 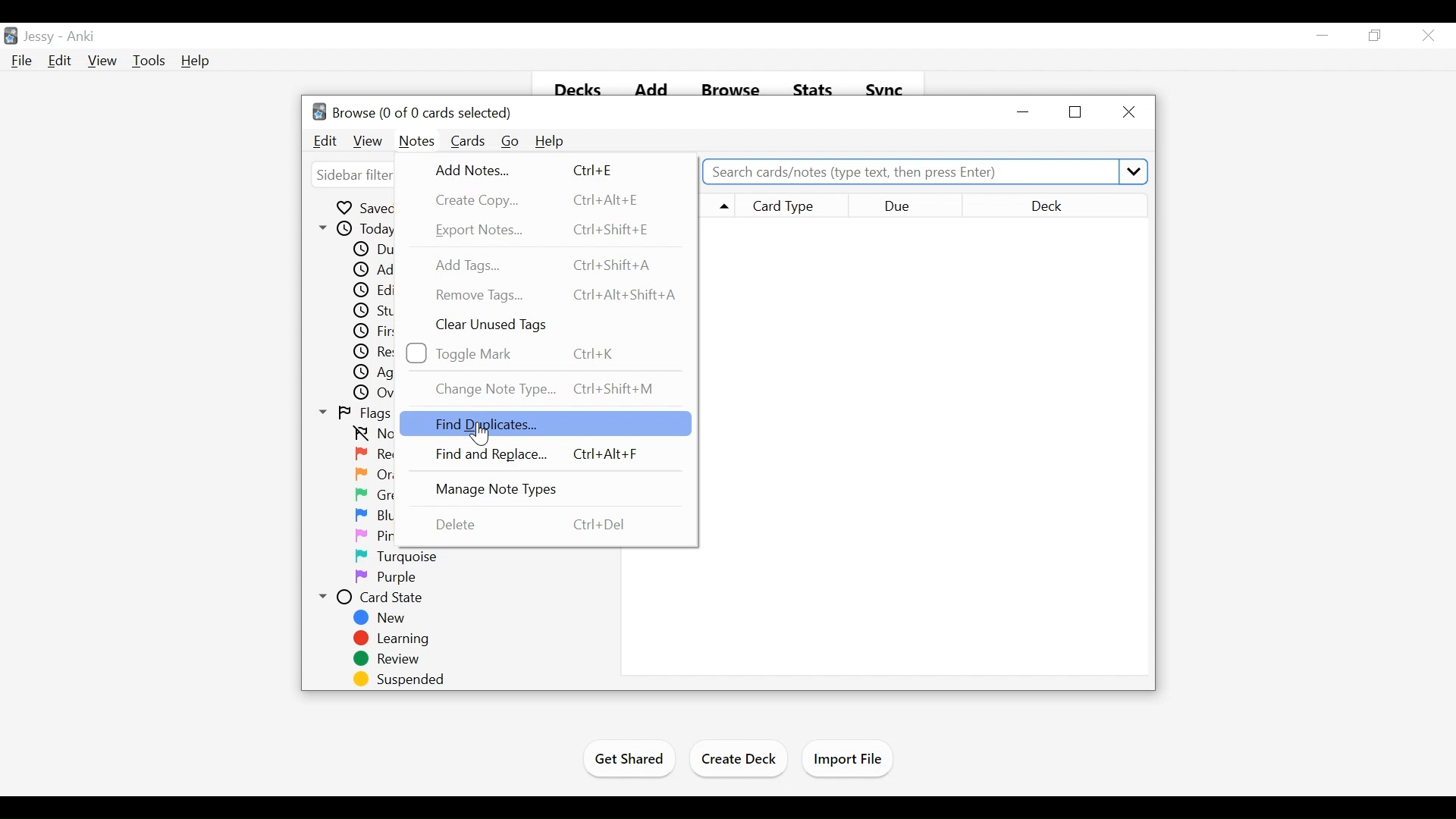 What do you see at coordinates (390, 639) in the screenshot?
I see `Learning` at bounding box center [390, 639].